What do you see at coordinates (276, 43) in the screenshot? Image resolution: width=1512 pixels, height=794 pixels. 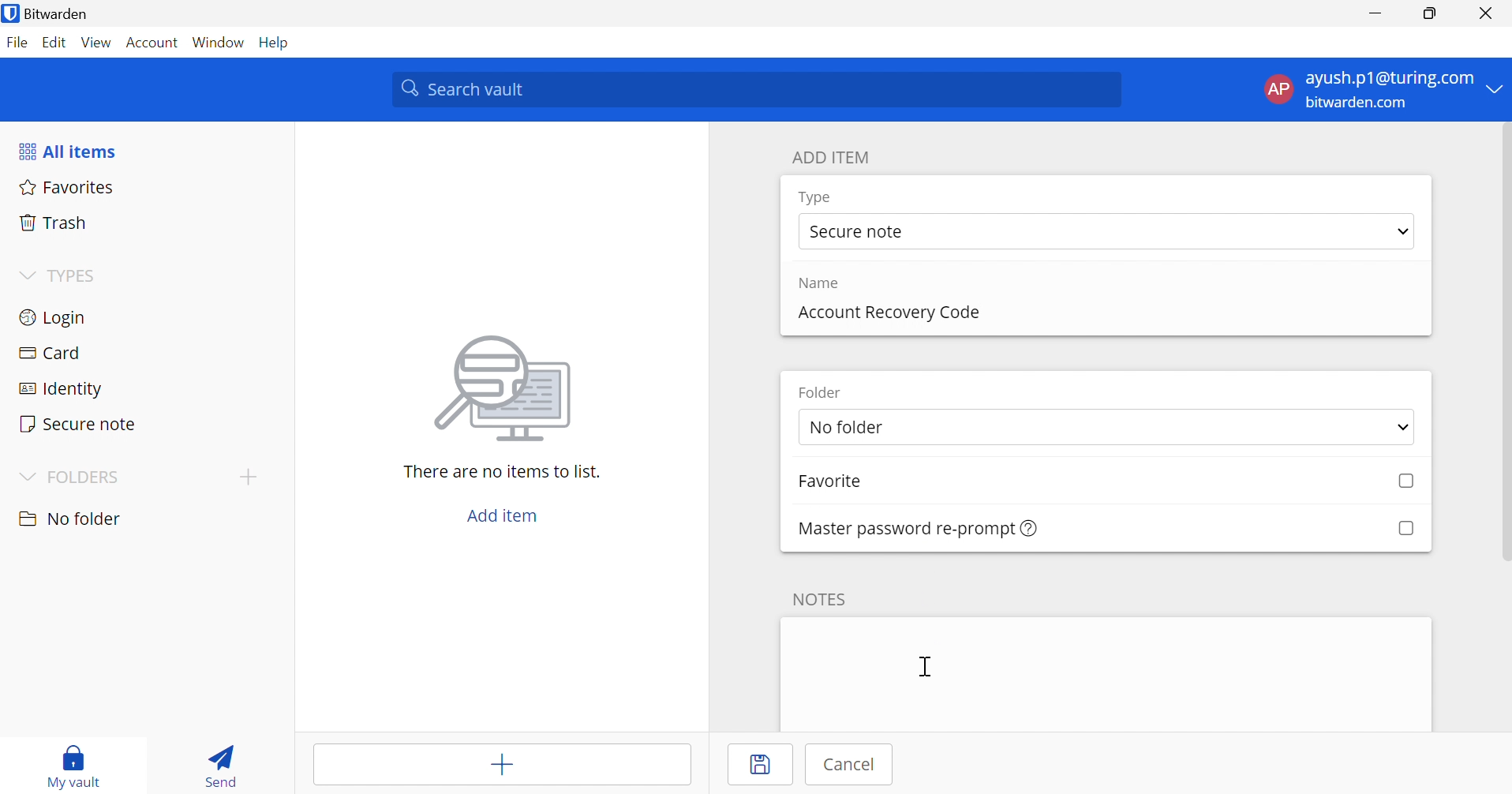 I see `Help` at bounding box center [276, 43].